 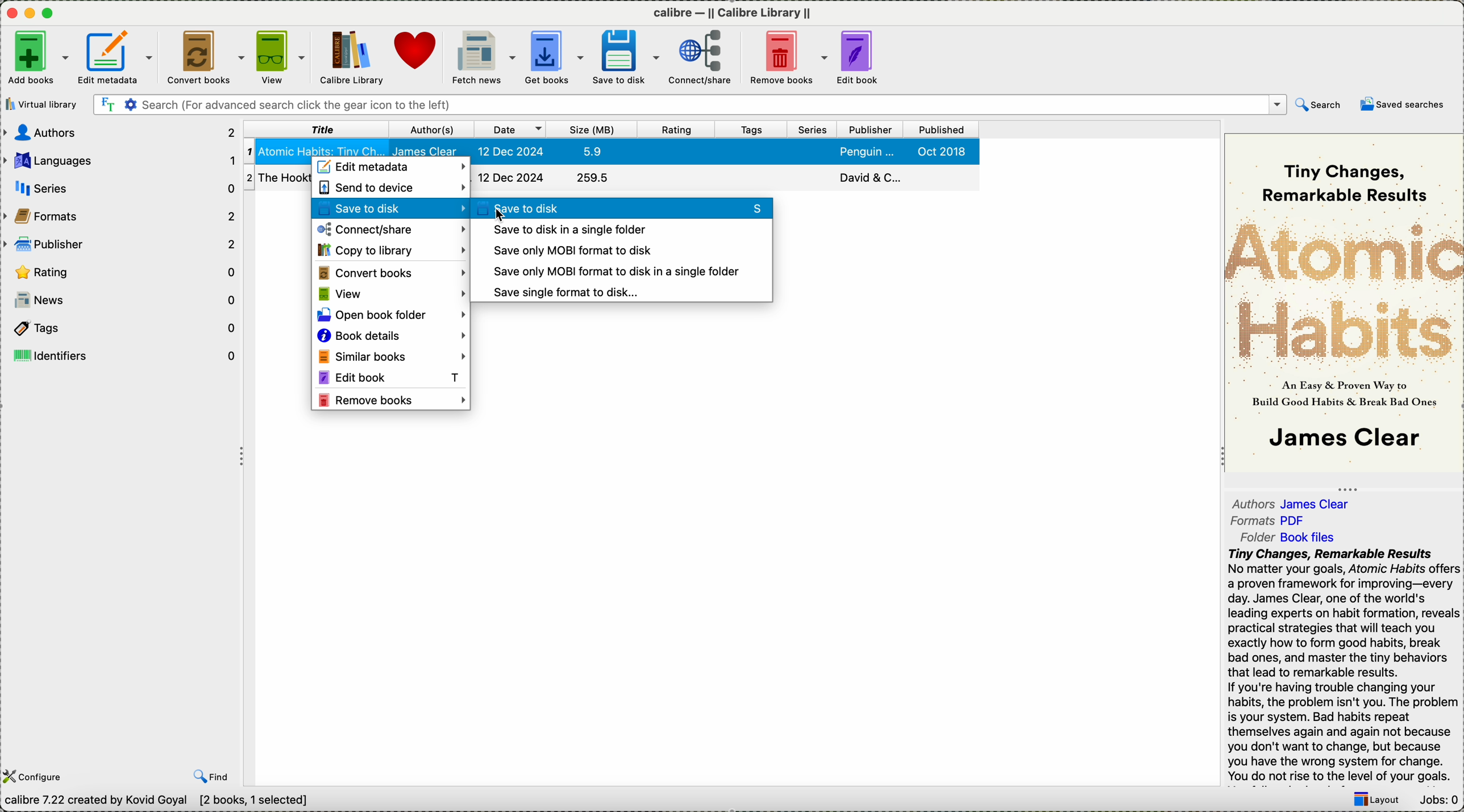 I want to click on edit book, so click(x=859, y=59).